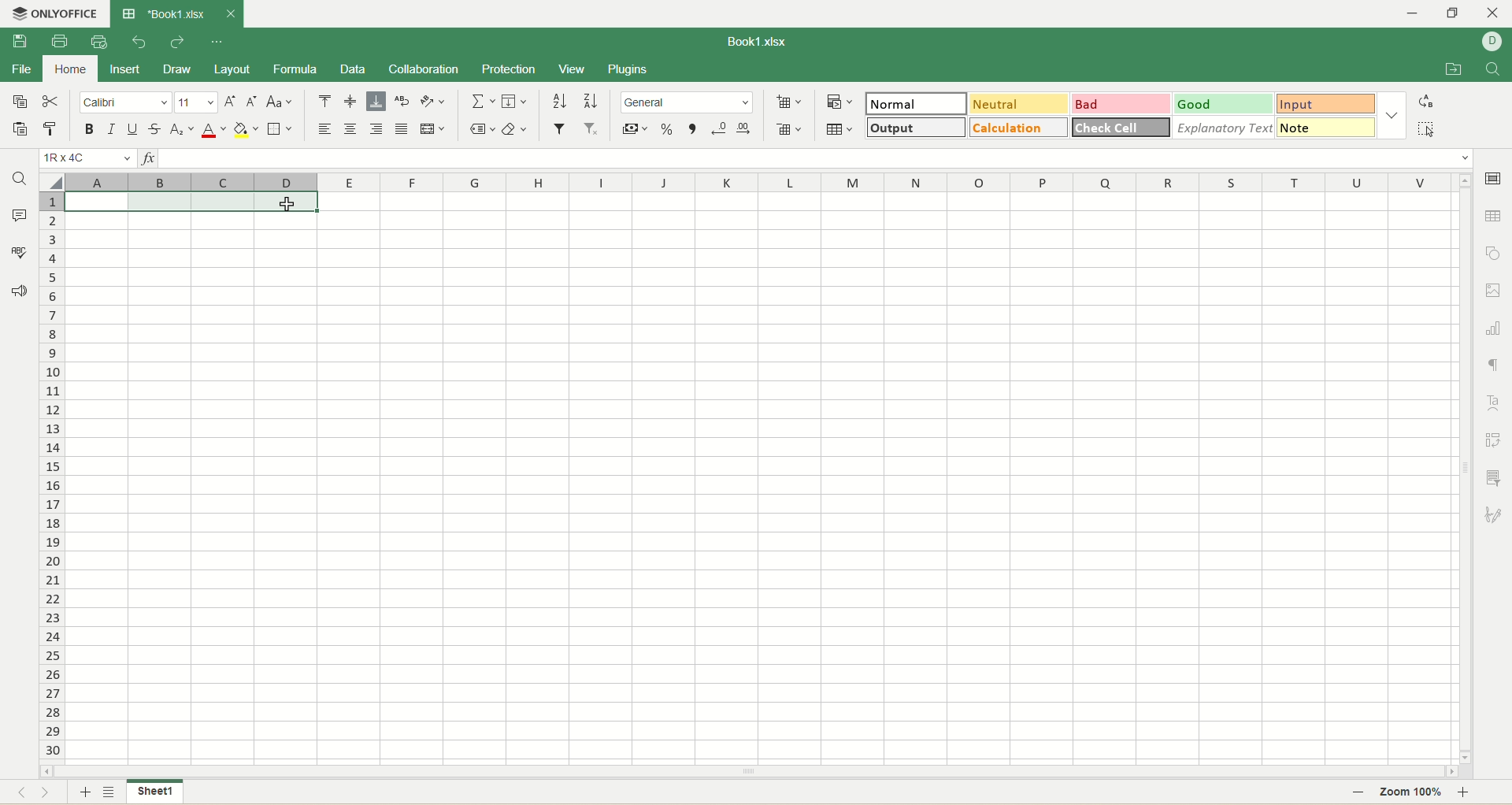  I want to click on increase decimal, so click(743, 128).